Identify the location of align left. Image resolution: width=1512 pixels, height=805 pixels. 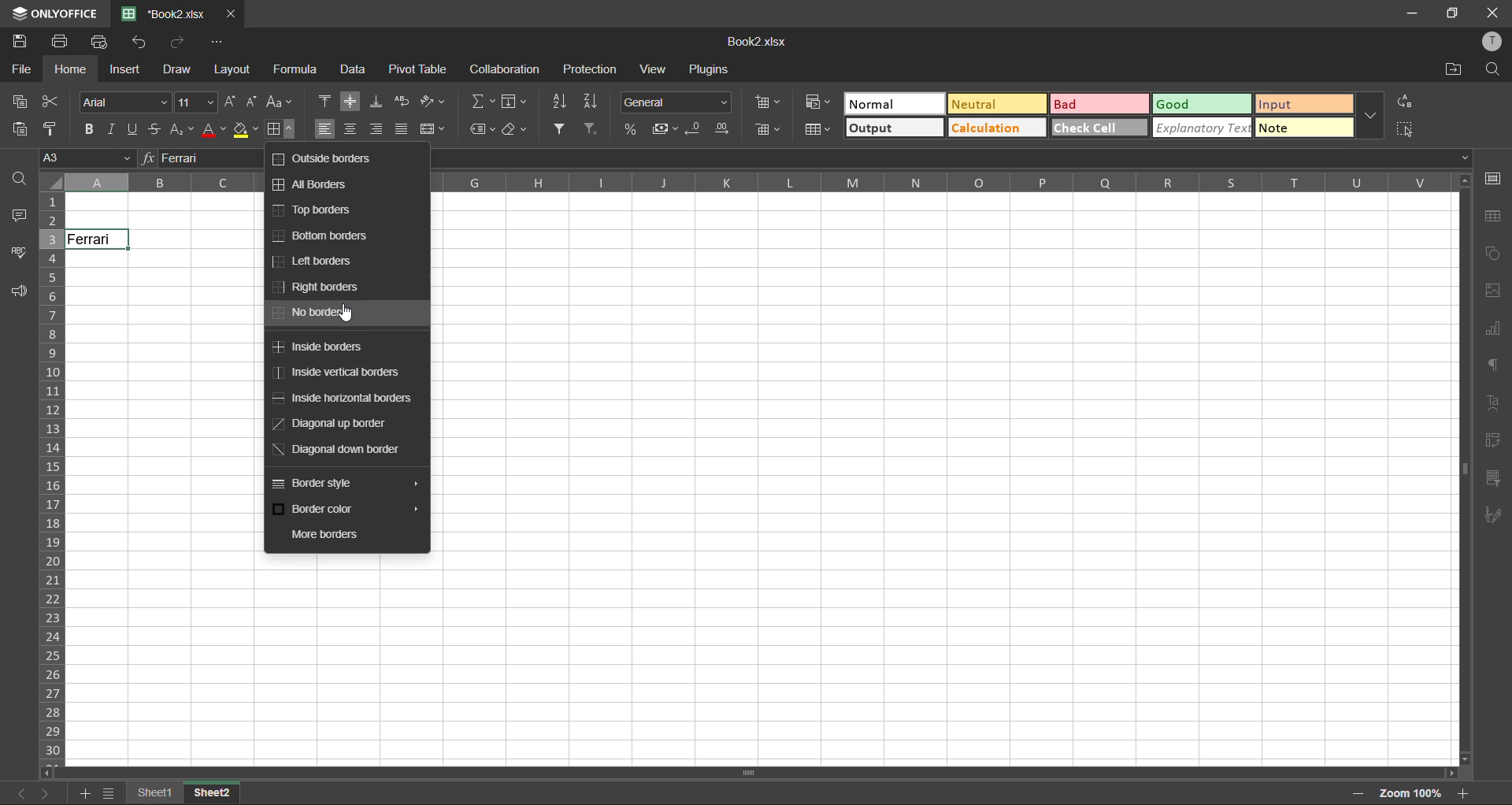
(325, 128).